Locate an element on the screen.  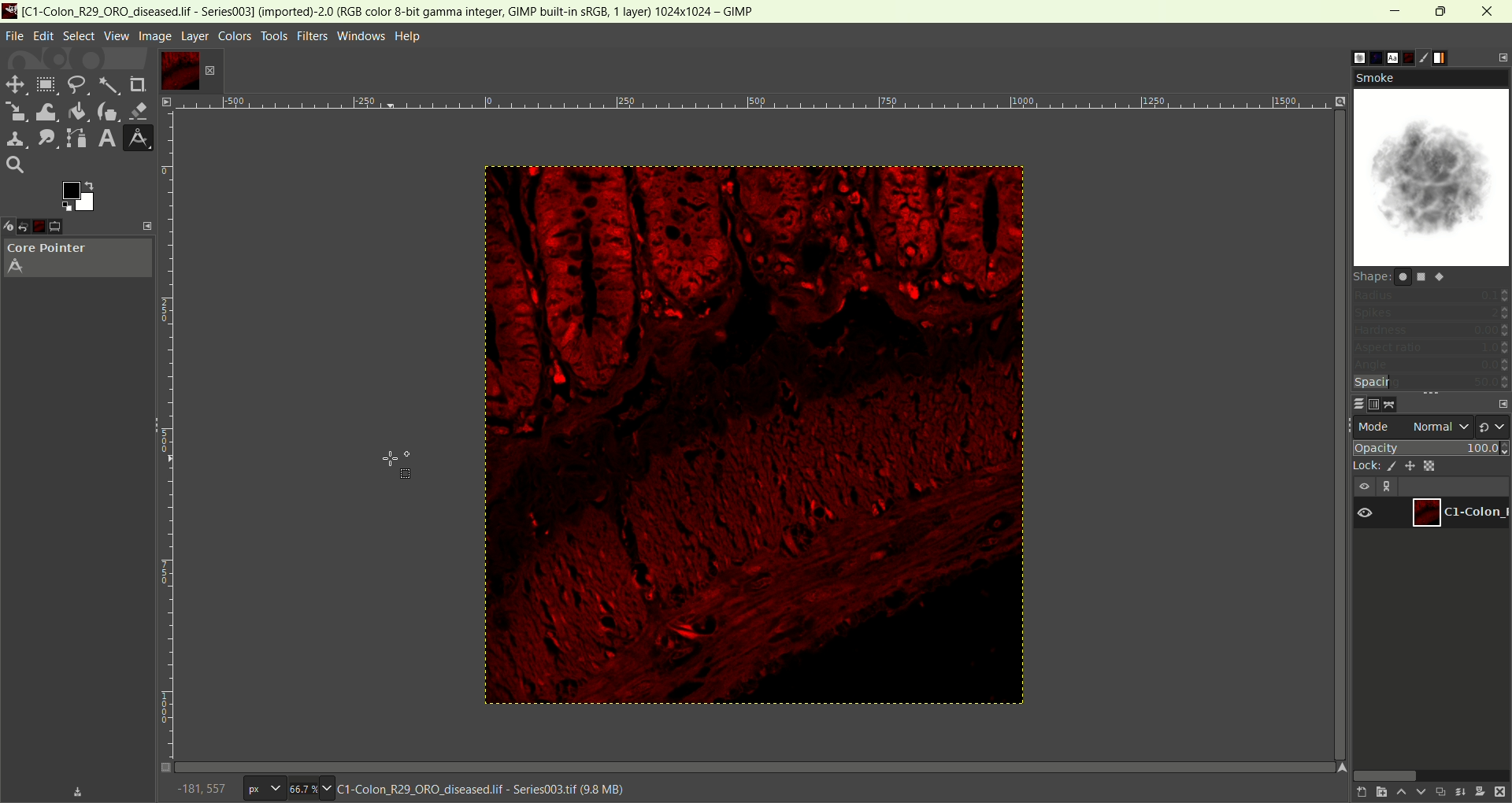
eraser tool is located at coordinates (141, 109).